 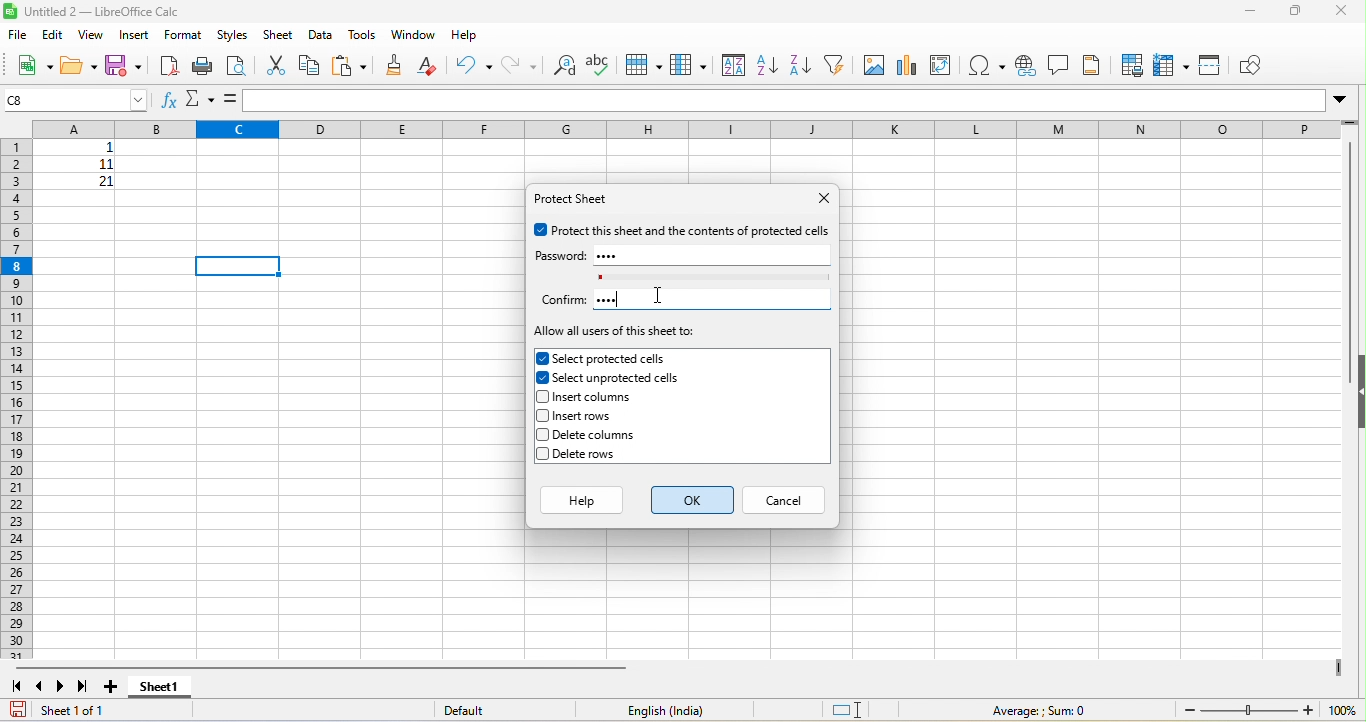 I want to click on comments, so click(x=1059, y=64).